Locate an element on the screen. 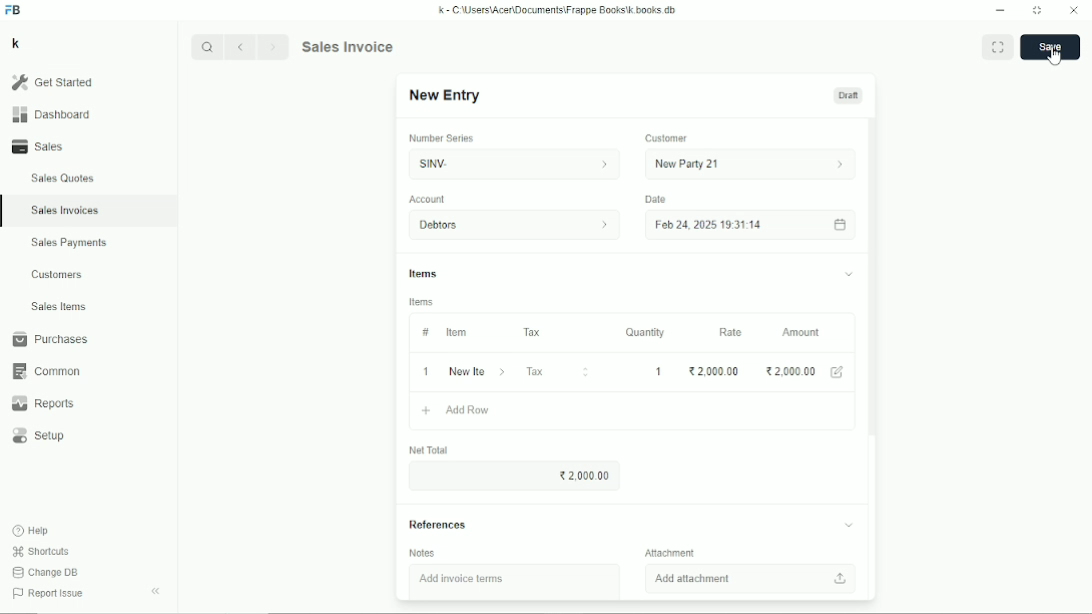 Image resolution: width=1092 pixels, height=614 pixels. Shortcuts is located at coordinates (40, 551).